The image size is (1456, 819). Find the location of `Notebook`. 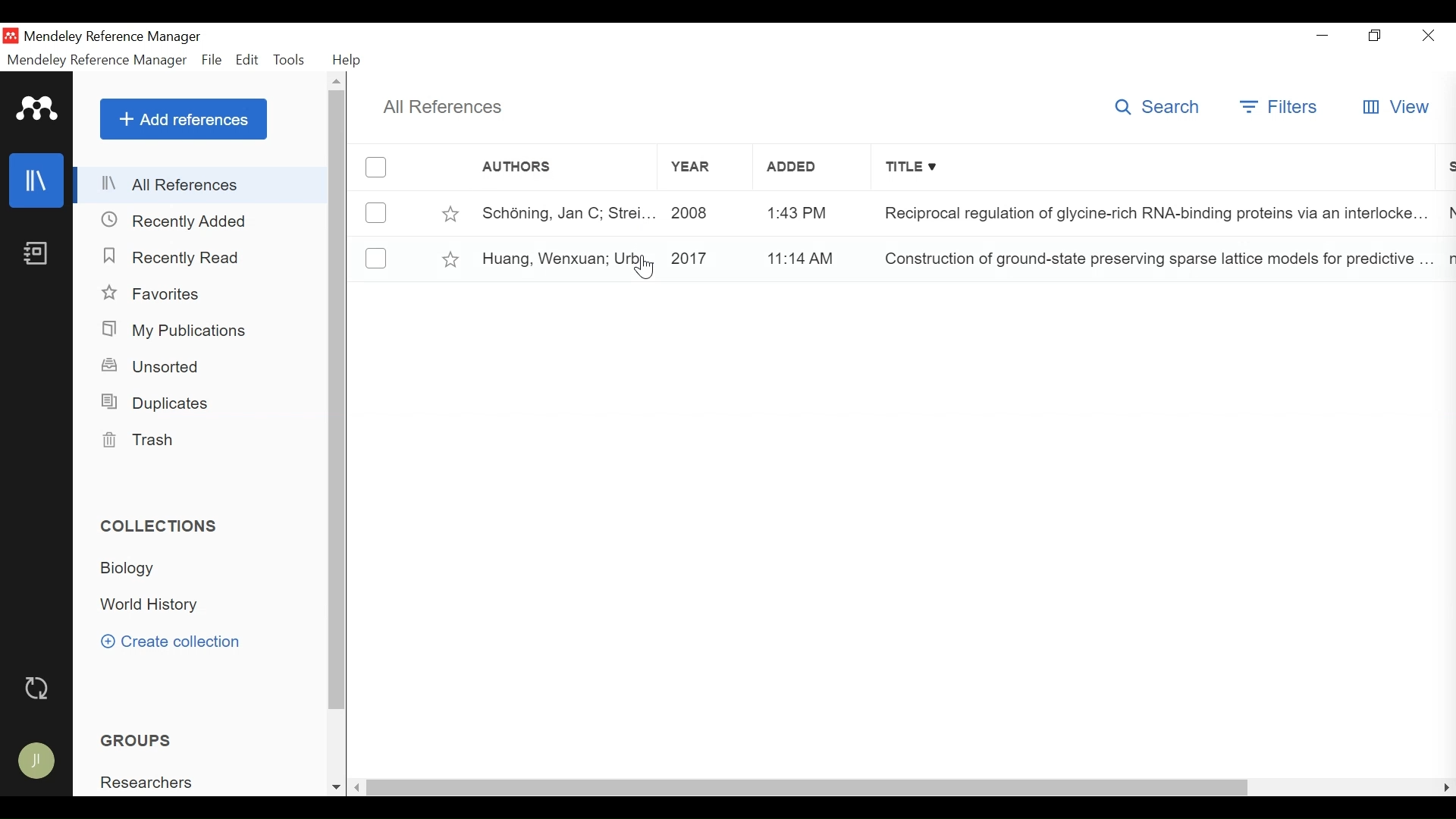

Notebook is located at coordinates (36, 253).